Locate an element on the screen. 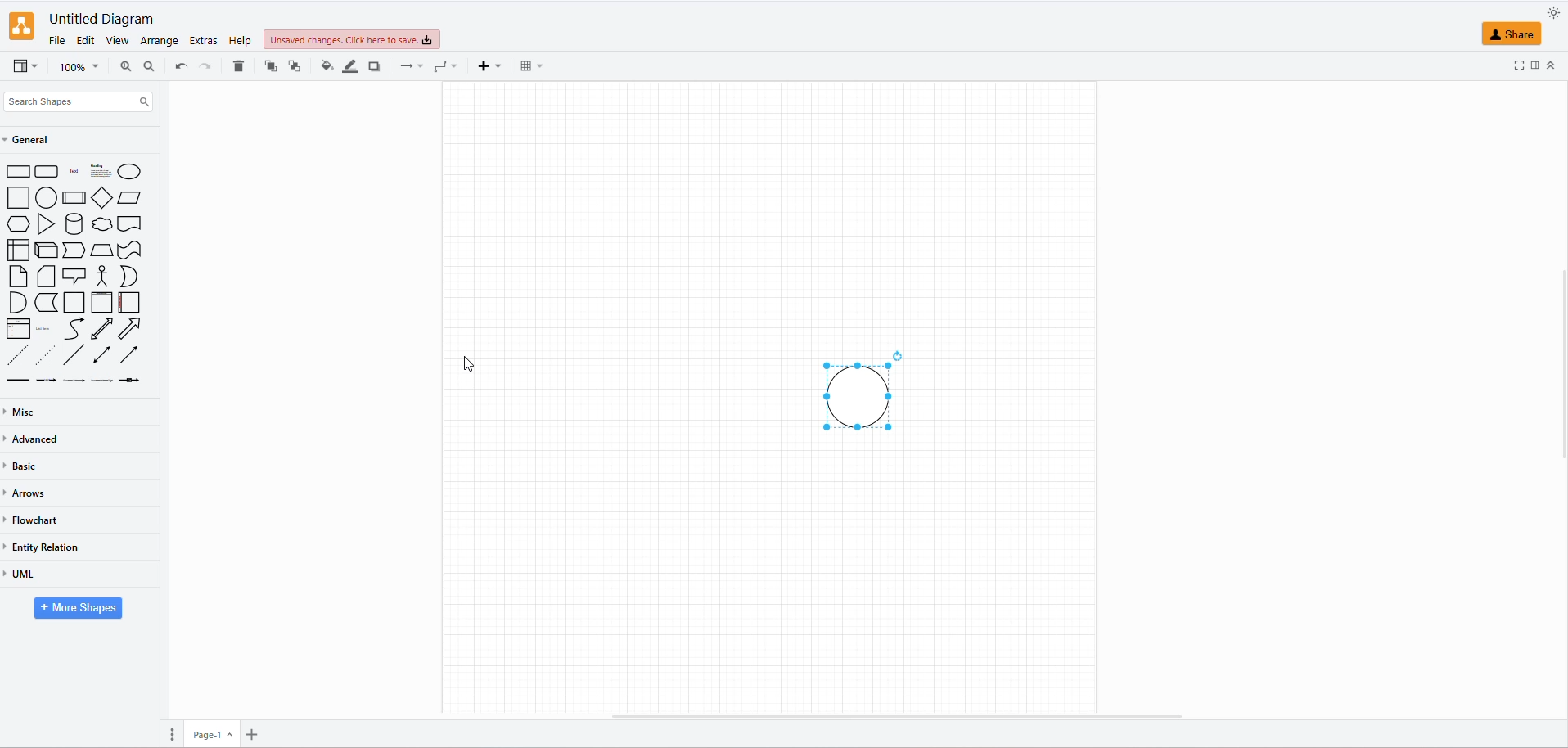 This screenshot has width=1568, height=748. INTERNAL STORAGE is located at coordinates (19, 252).